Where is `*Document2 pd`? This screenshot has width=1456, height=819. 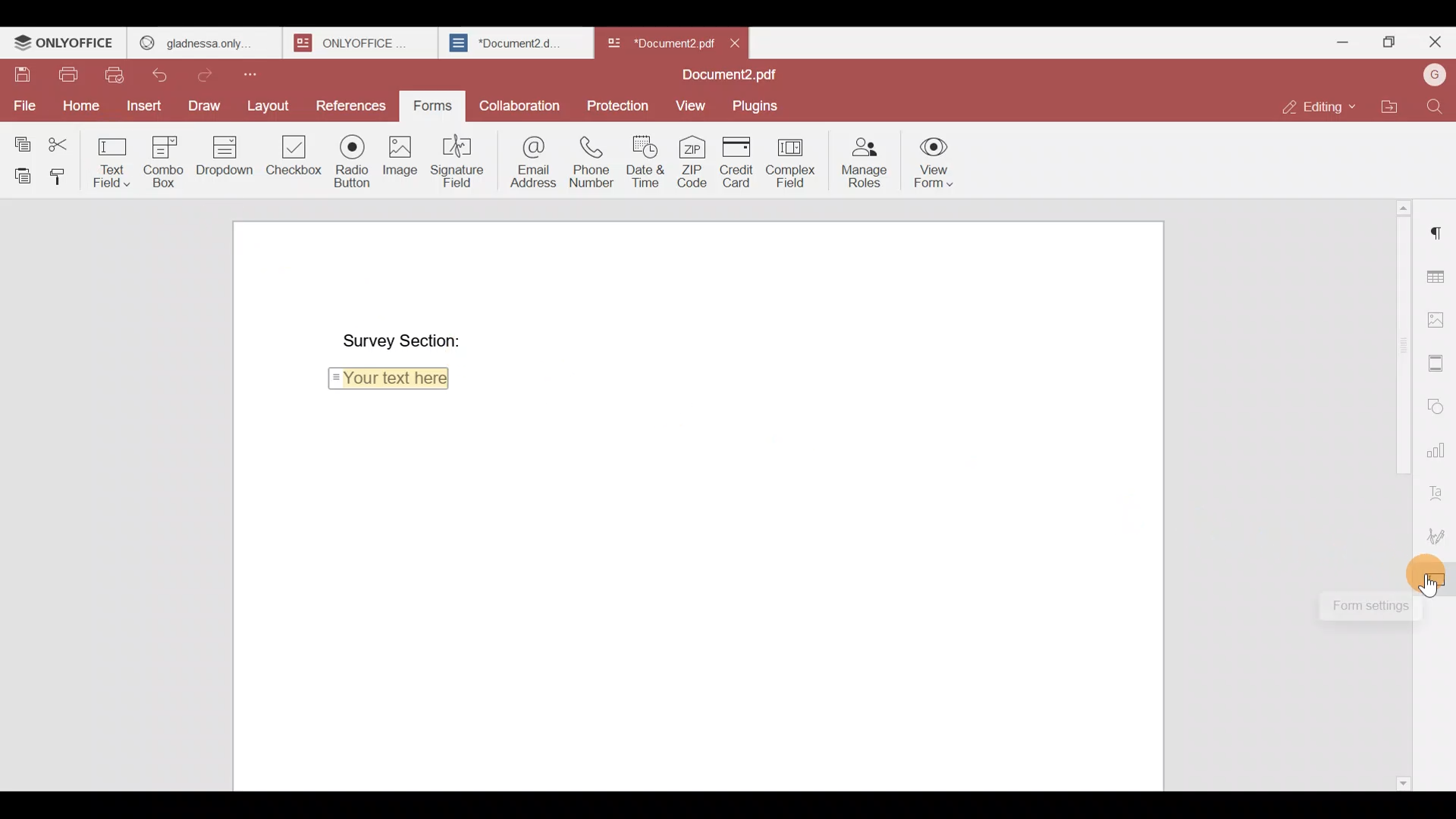 *Document2 pd is located at coordinates (657, 42).